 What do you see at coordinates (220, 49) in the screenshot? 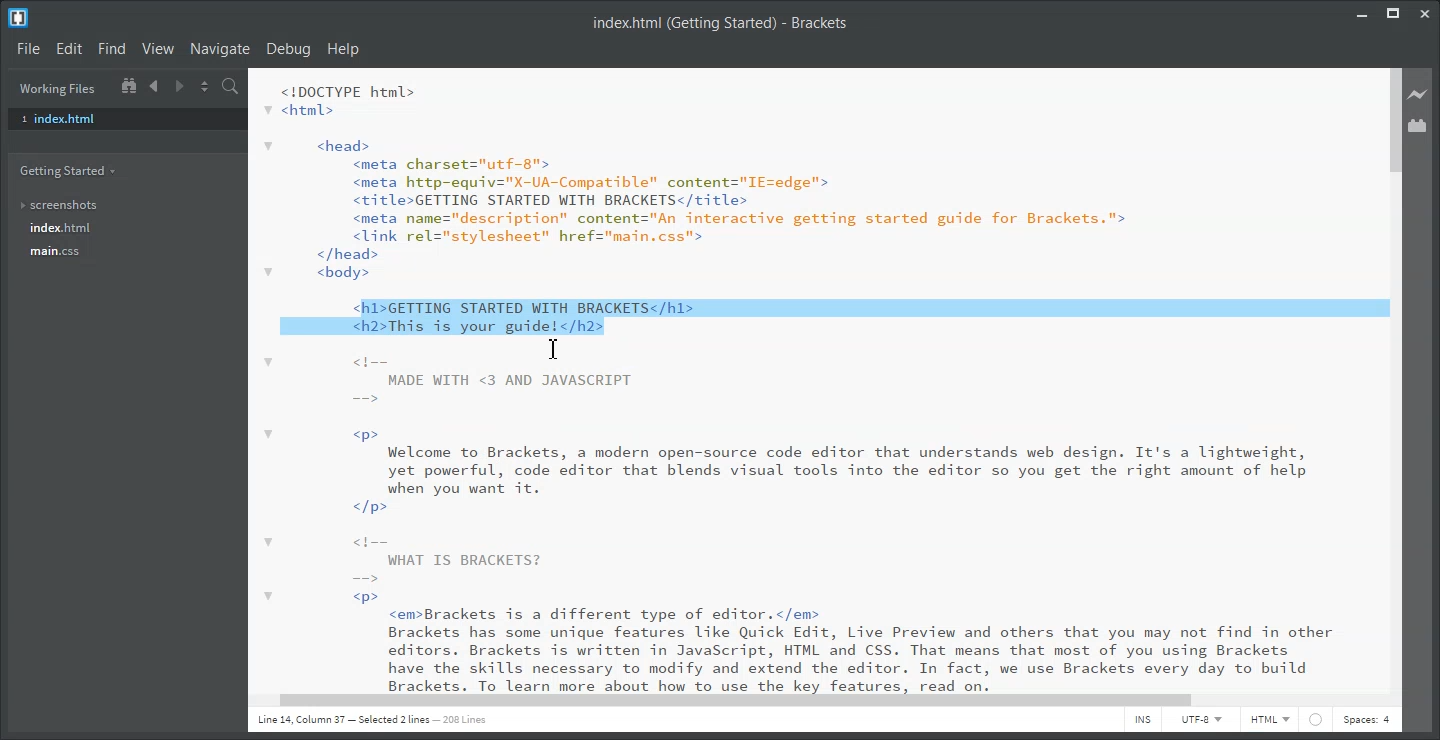
I see `Navigate` at bounding box center [220, 49].